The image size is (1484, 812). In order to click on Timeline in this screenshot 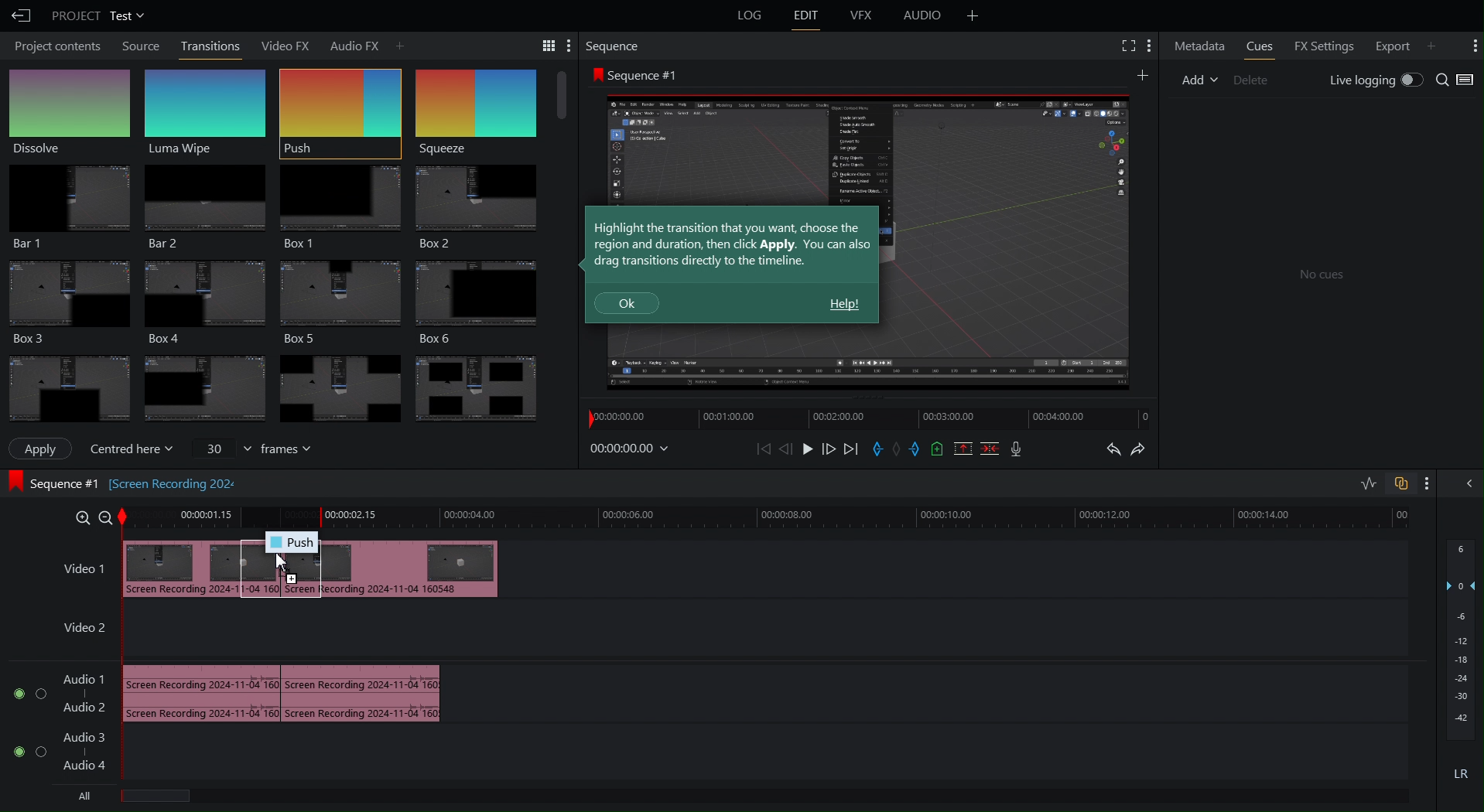, I will do `click(854, 421)`.